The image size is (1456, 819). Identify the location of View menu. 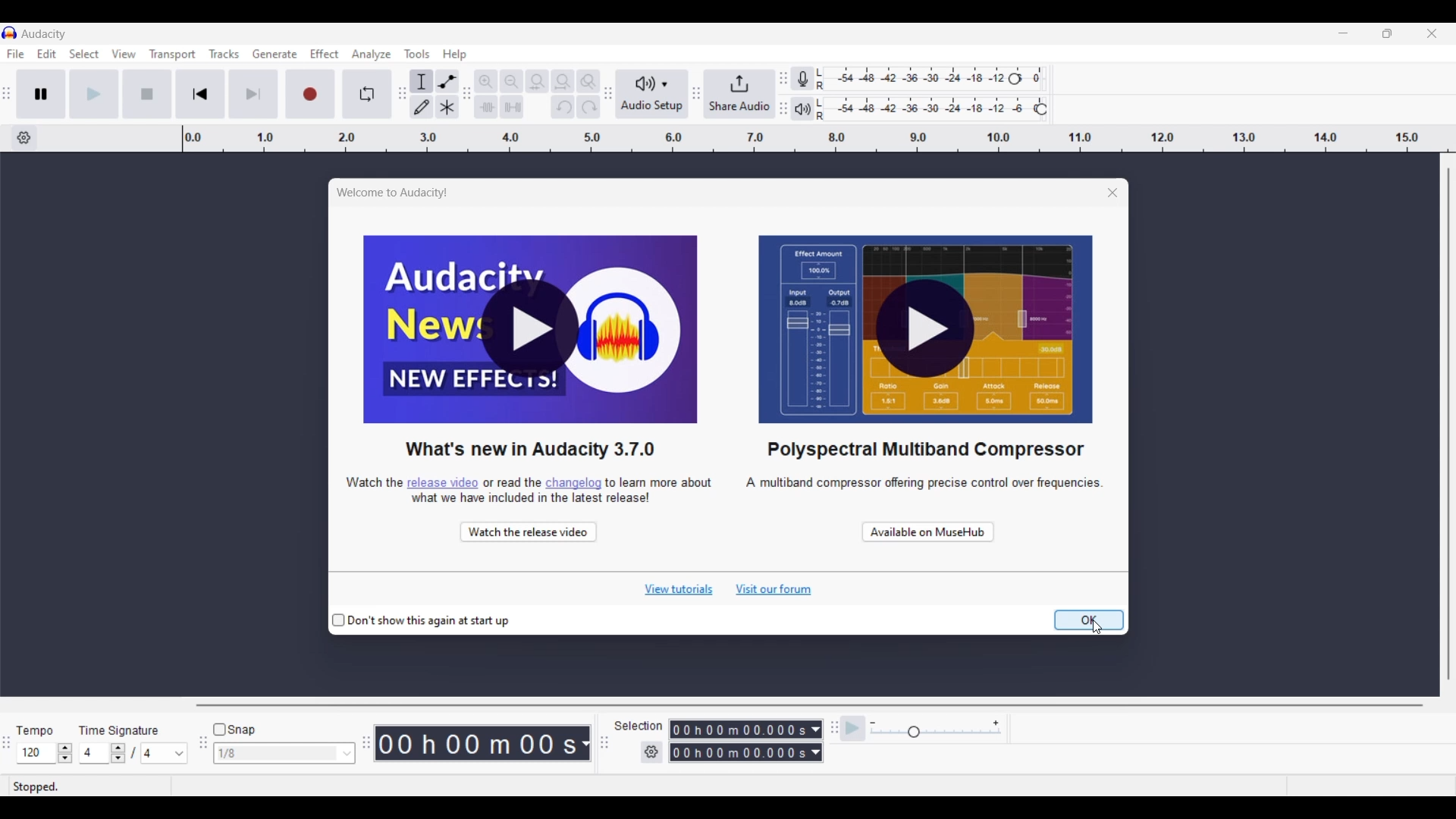
(124, 54).